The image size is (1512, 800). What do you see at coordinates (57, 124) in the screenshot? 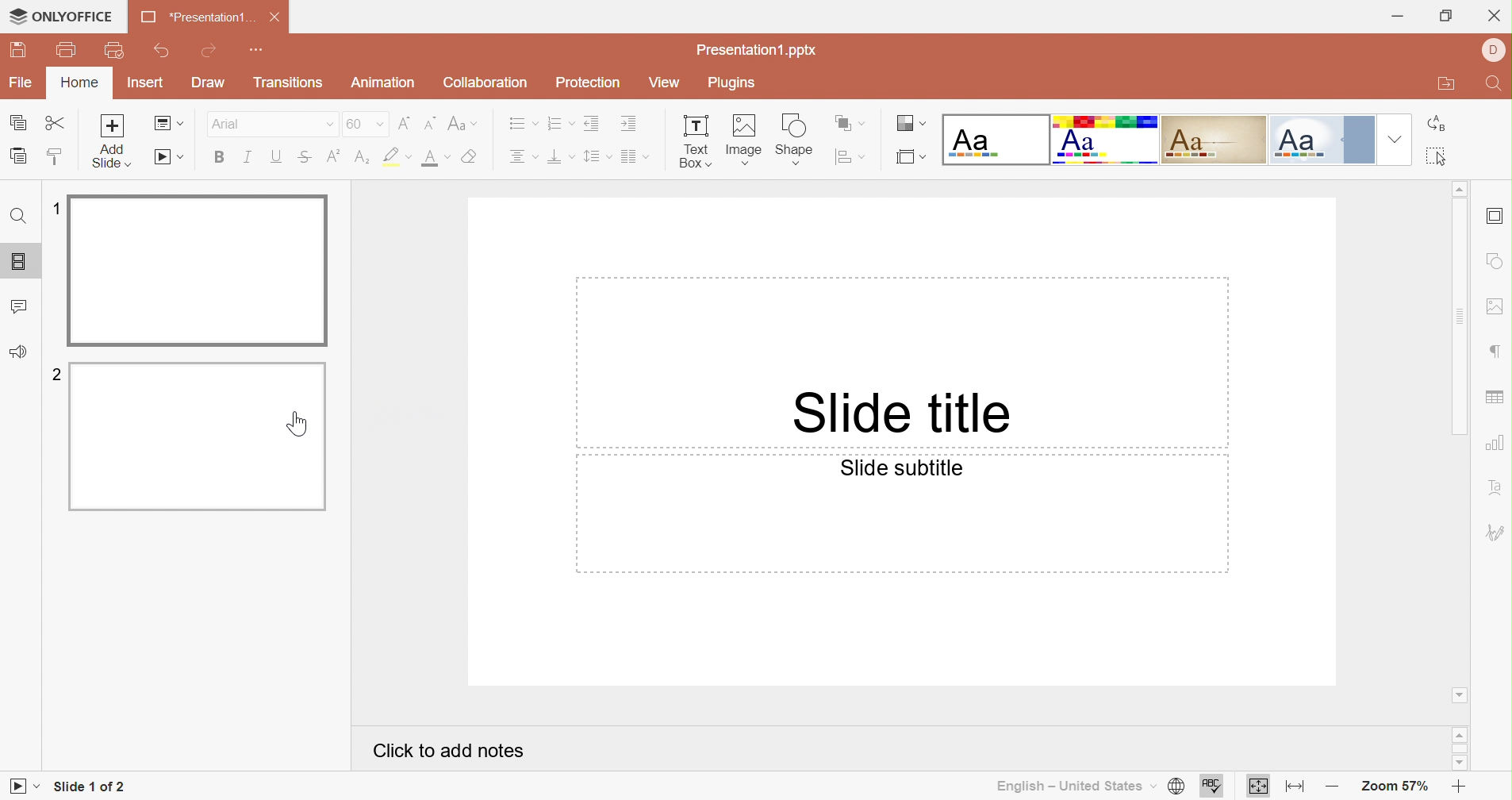
I see `Cut` at bounding box center [57, 124].